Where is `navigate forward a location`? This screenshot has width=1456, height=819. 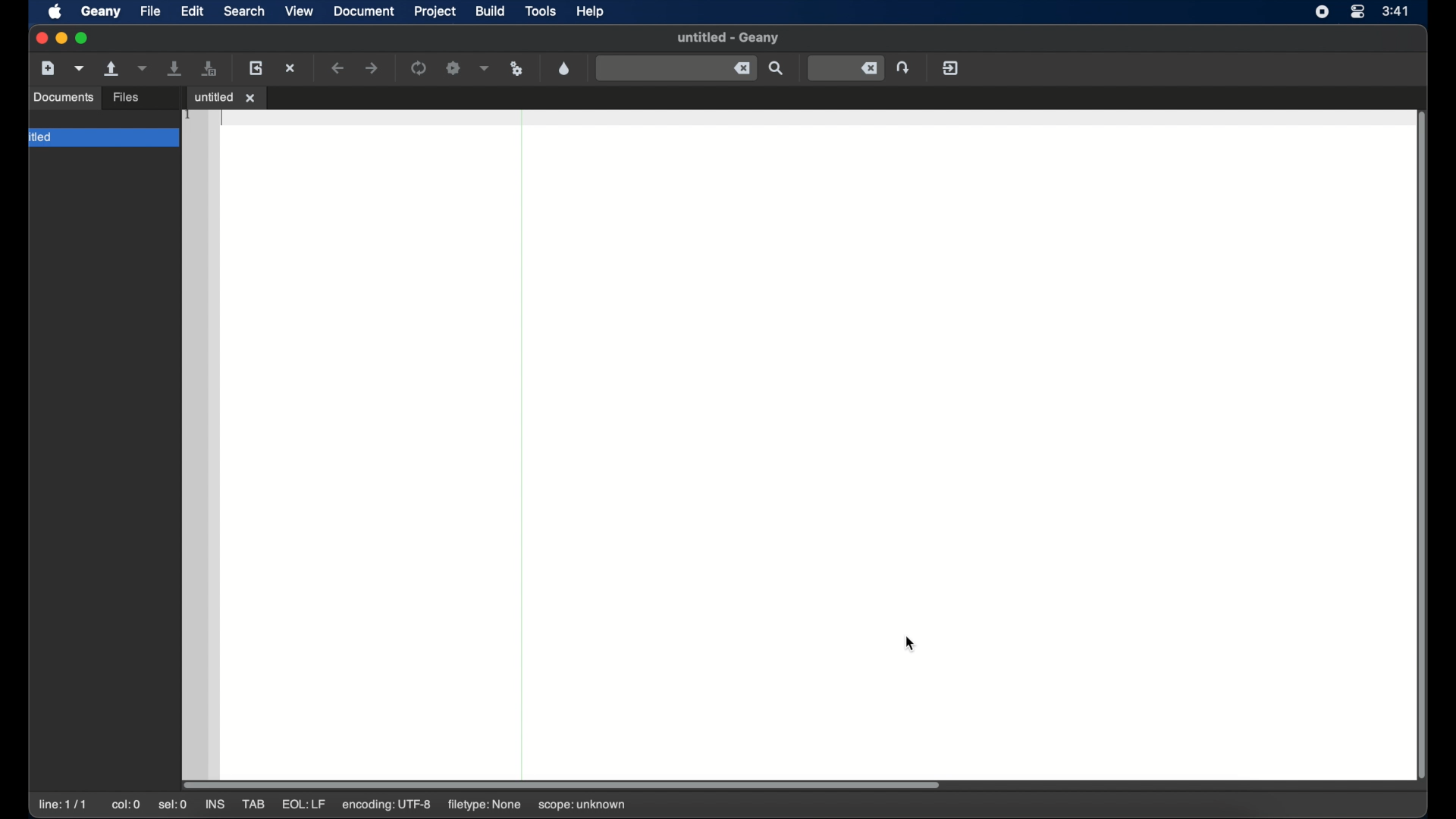
navigate forward a location is located at coordinates (372, 68).